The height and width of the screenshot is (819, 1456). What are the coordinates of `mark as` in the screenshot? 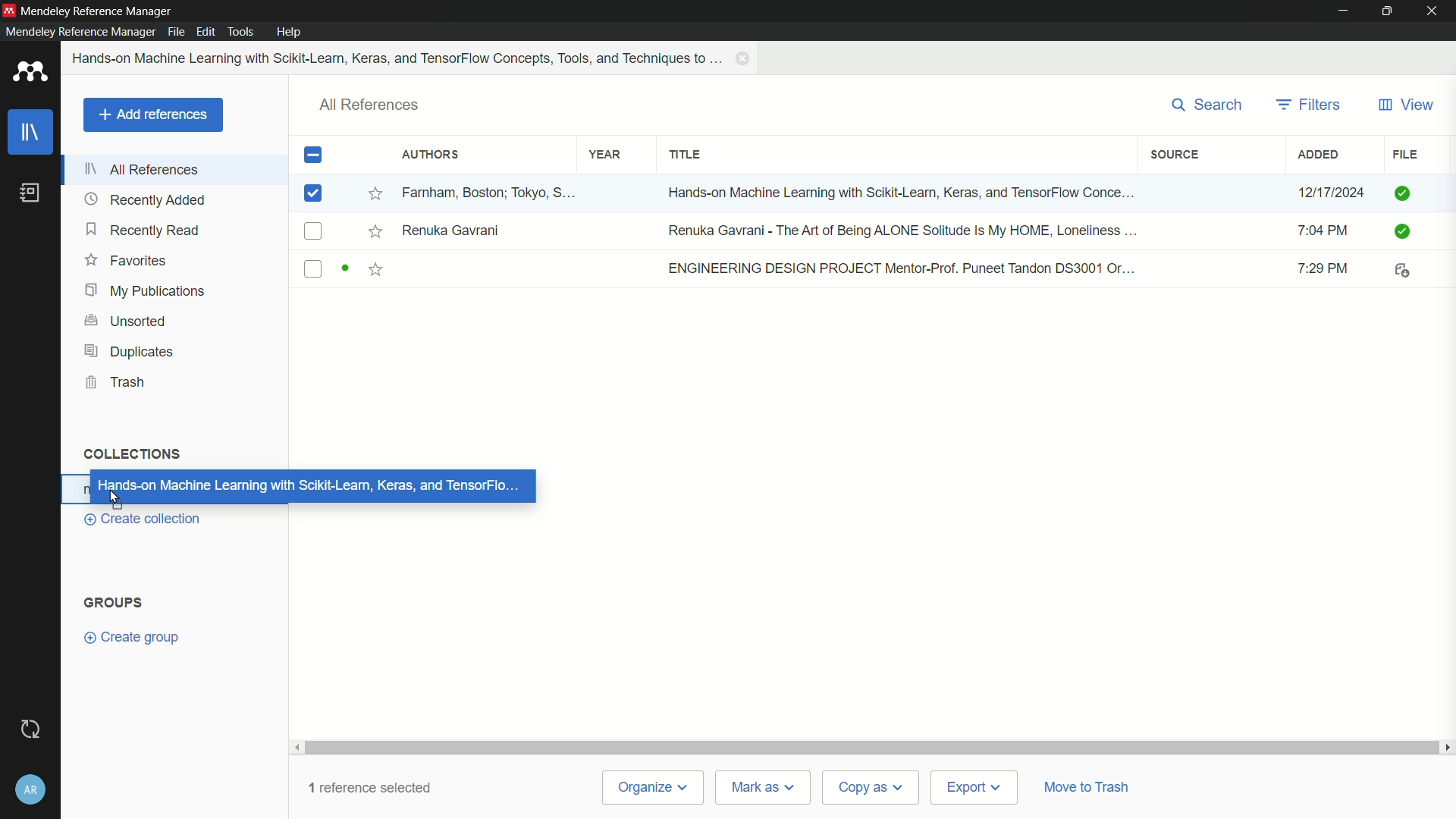 It's located at (761, 788).